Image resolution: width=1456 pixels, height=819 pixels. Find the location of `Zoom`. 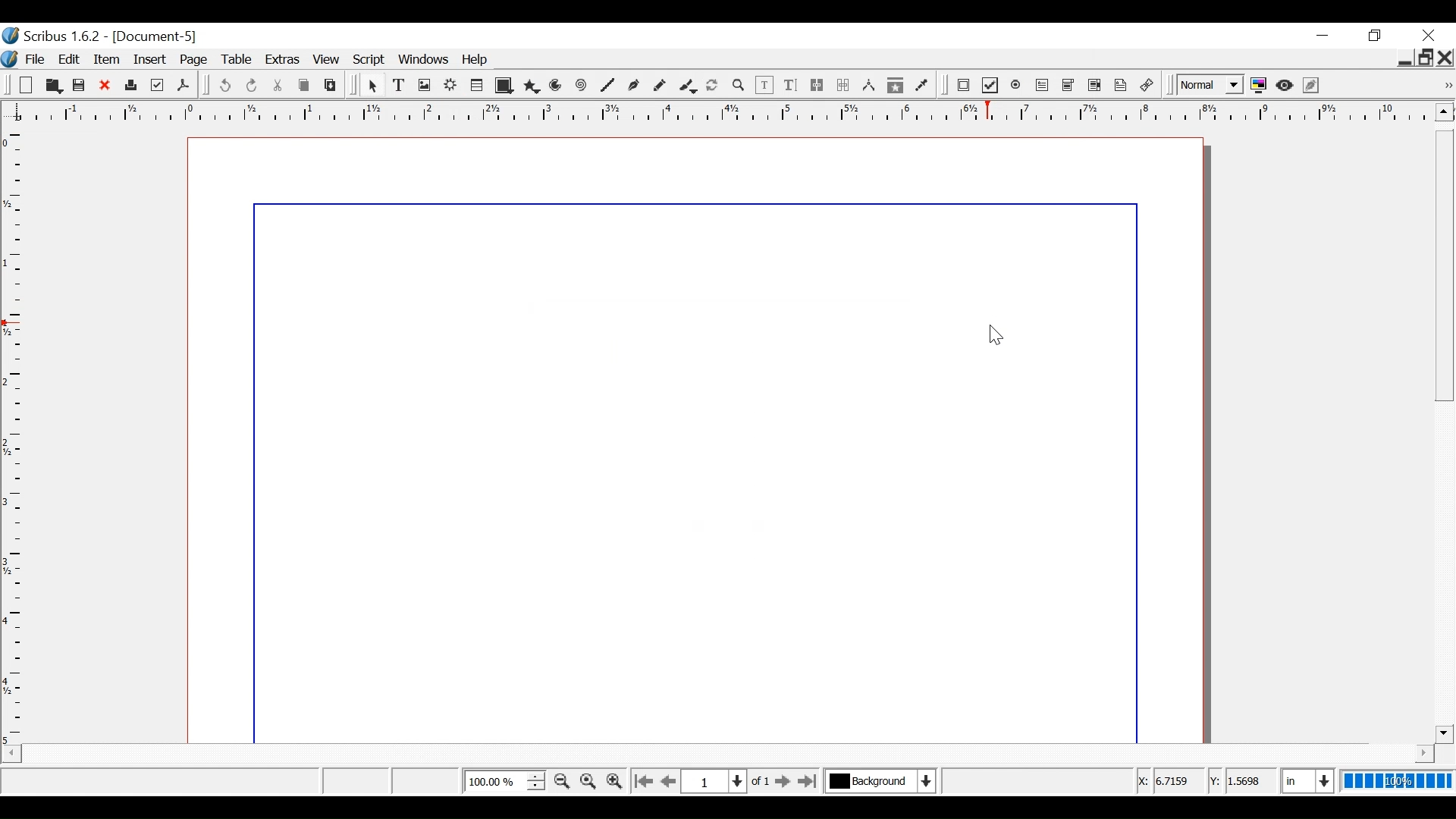

Zoom is located at coordinates (738, 86).